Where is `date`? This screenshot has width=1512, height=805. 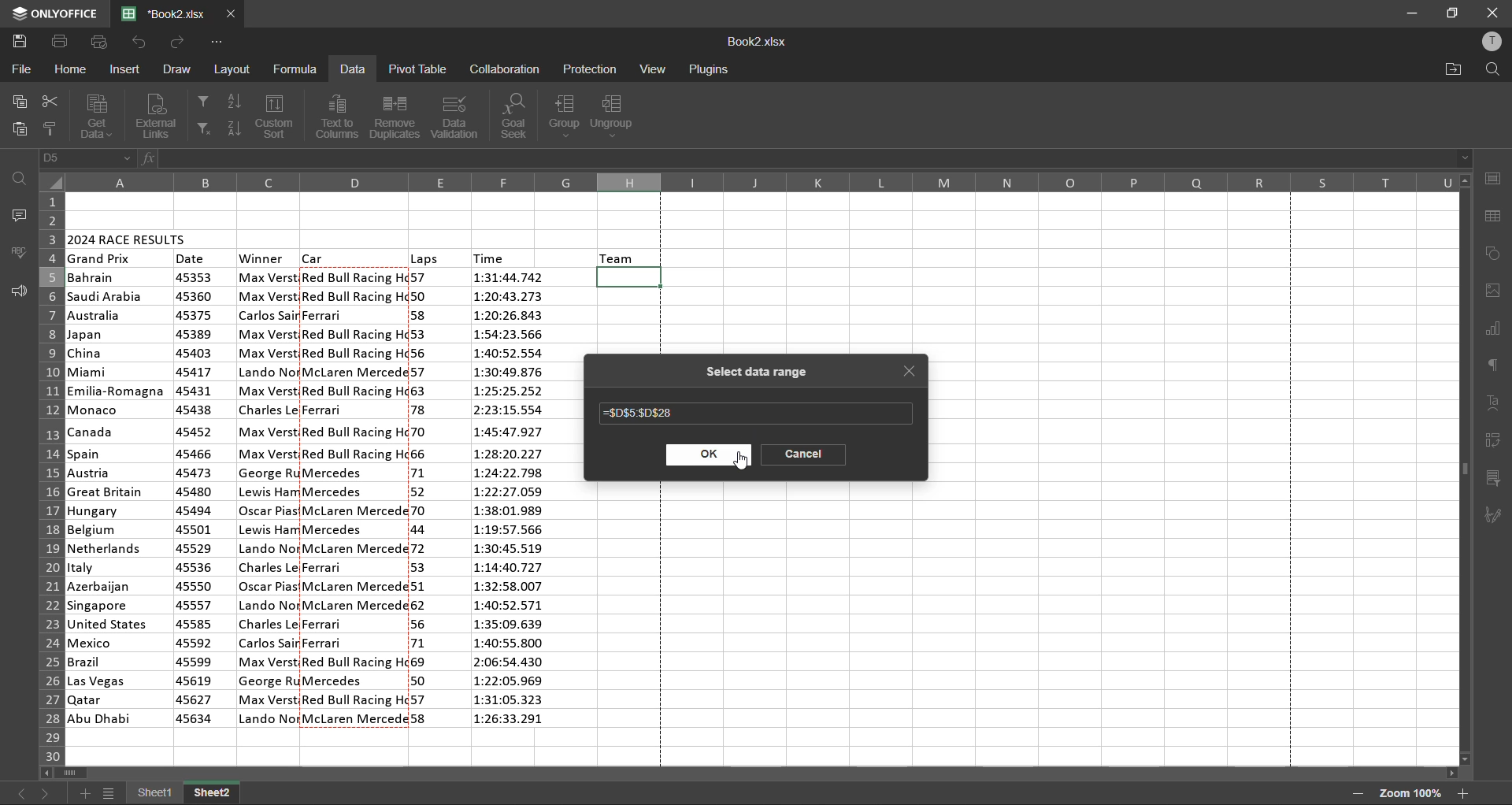 date is located at coordinates (191, 258).